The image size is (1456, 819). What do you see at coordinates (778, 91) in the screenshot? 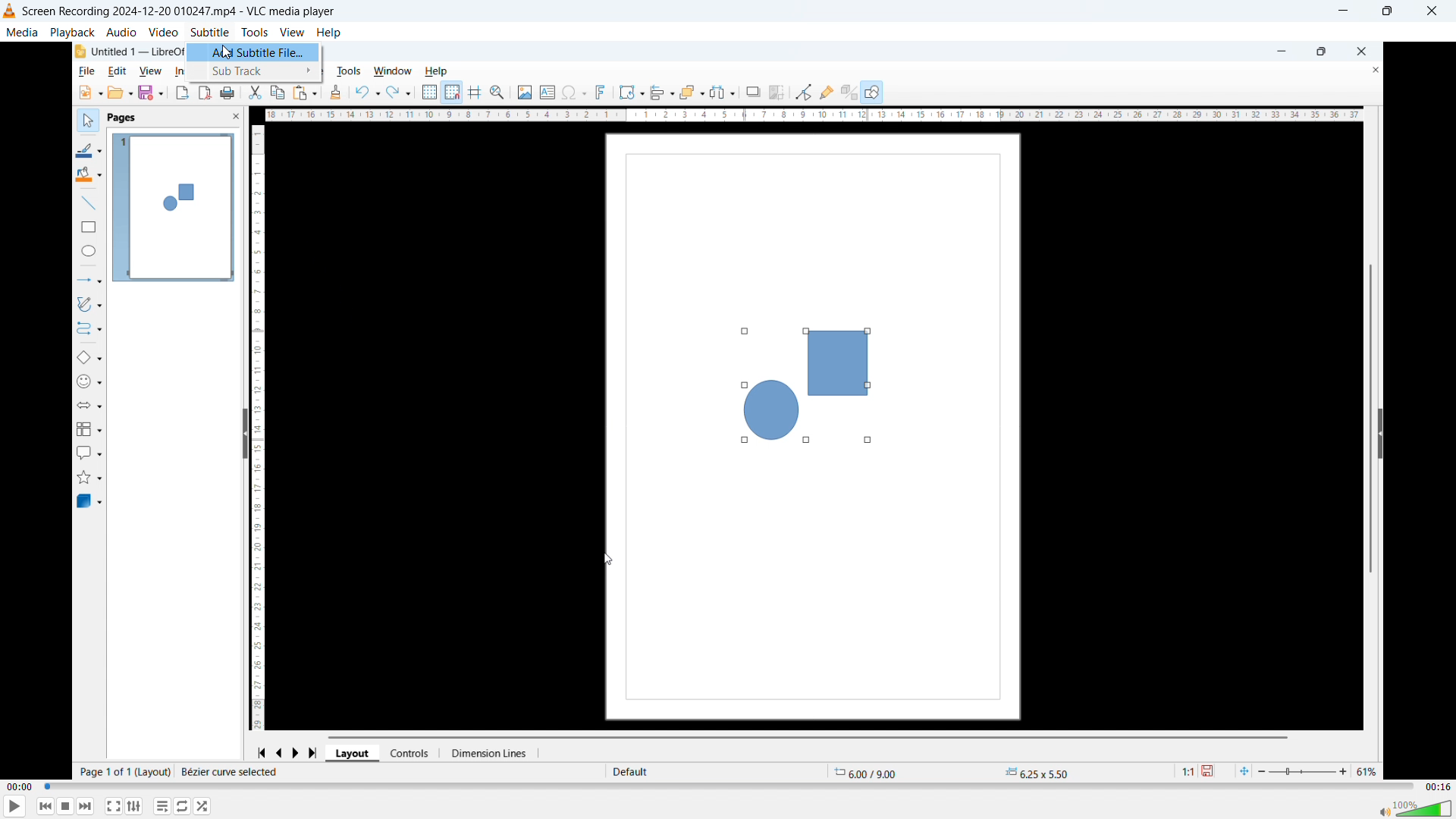
I see `crop image` at bounding box center [778, 91].